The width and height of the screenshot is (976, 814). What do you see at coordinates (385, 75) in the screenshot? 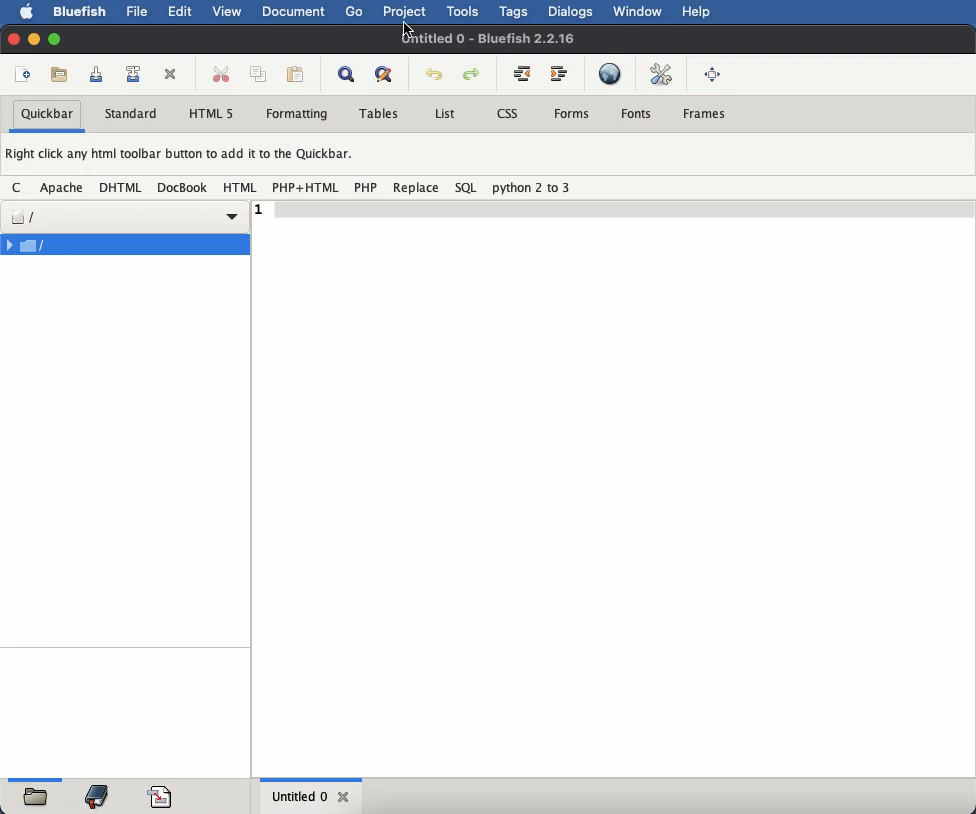
I see `advanced find and replace` at bounding box center [385, 75].